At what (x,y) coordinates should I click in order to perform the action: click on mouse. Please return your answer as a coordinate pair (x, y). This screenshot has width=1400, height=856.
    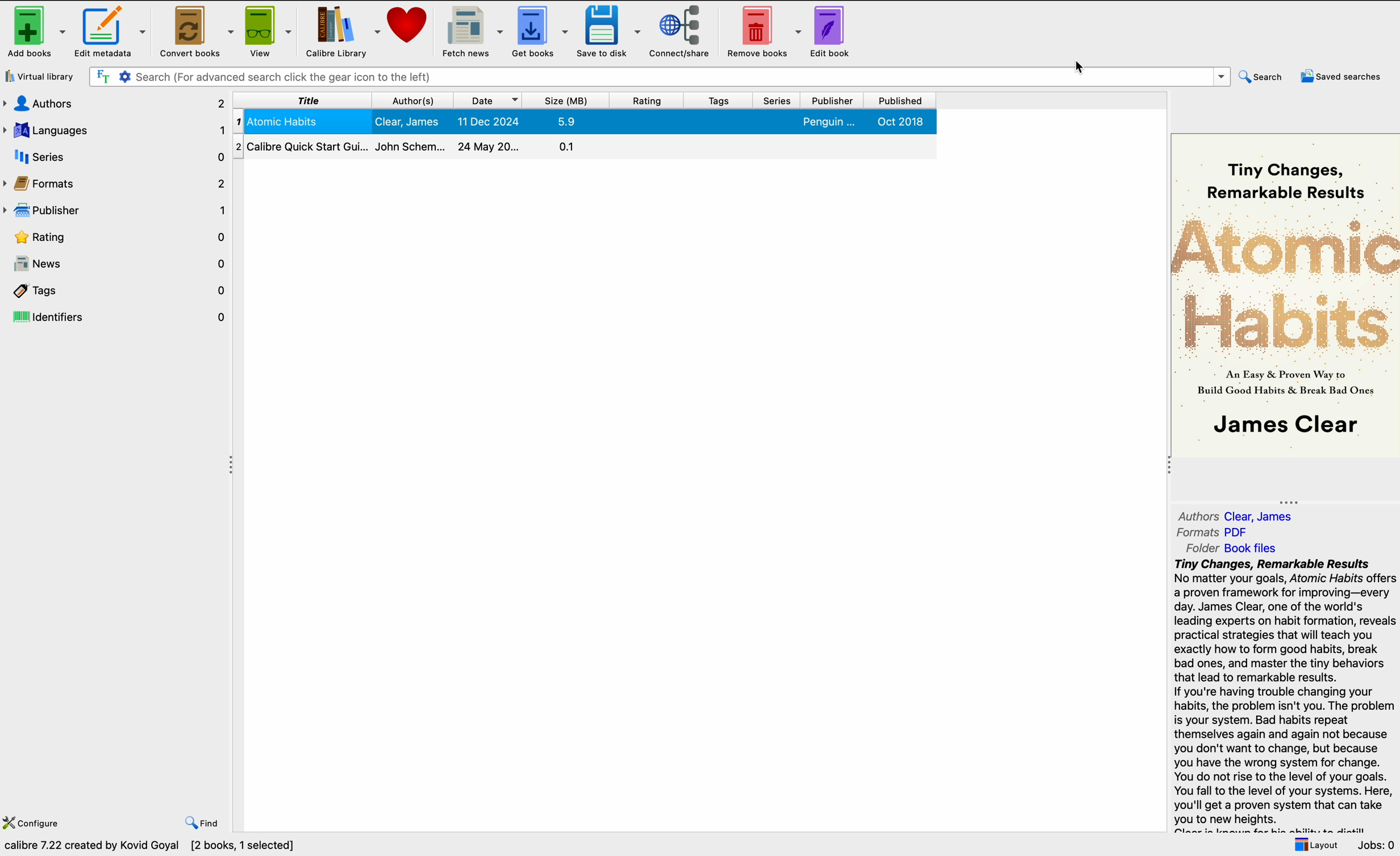
    Looking at the image, I should click on (1083, 68).